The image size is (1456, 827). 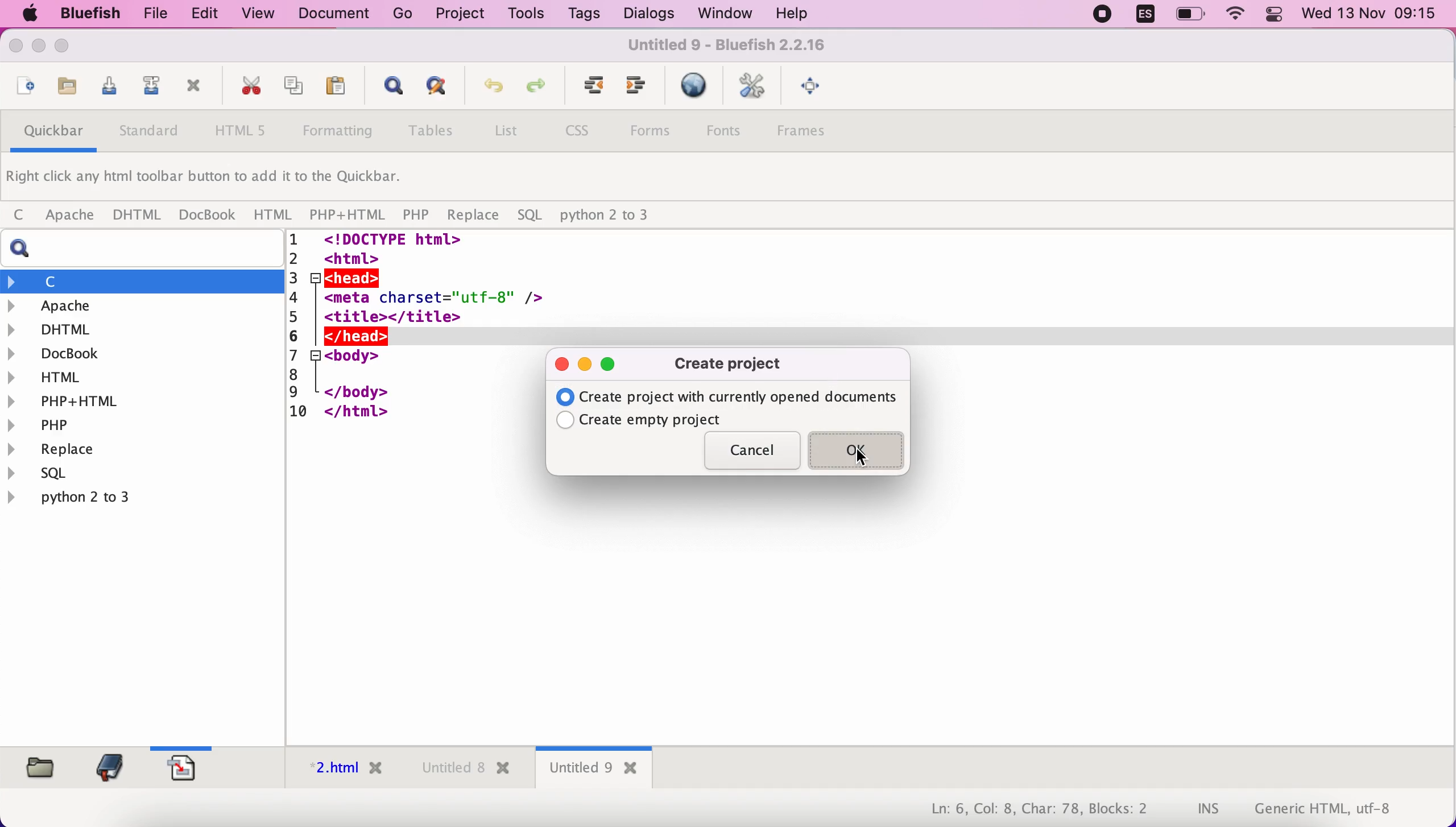 I want to click on html, so click(x=143, y=376).